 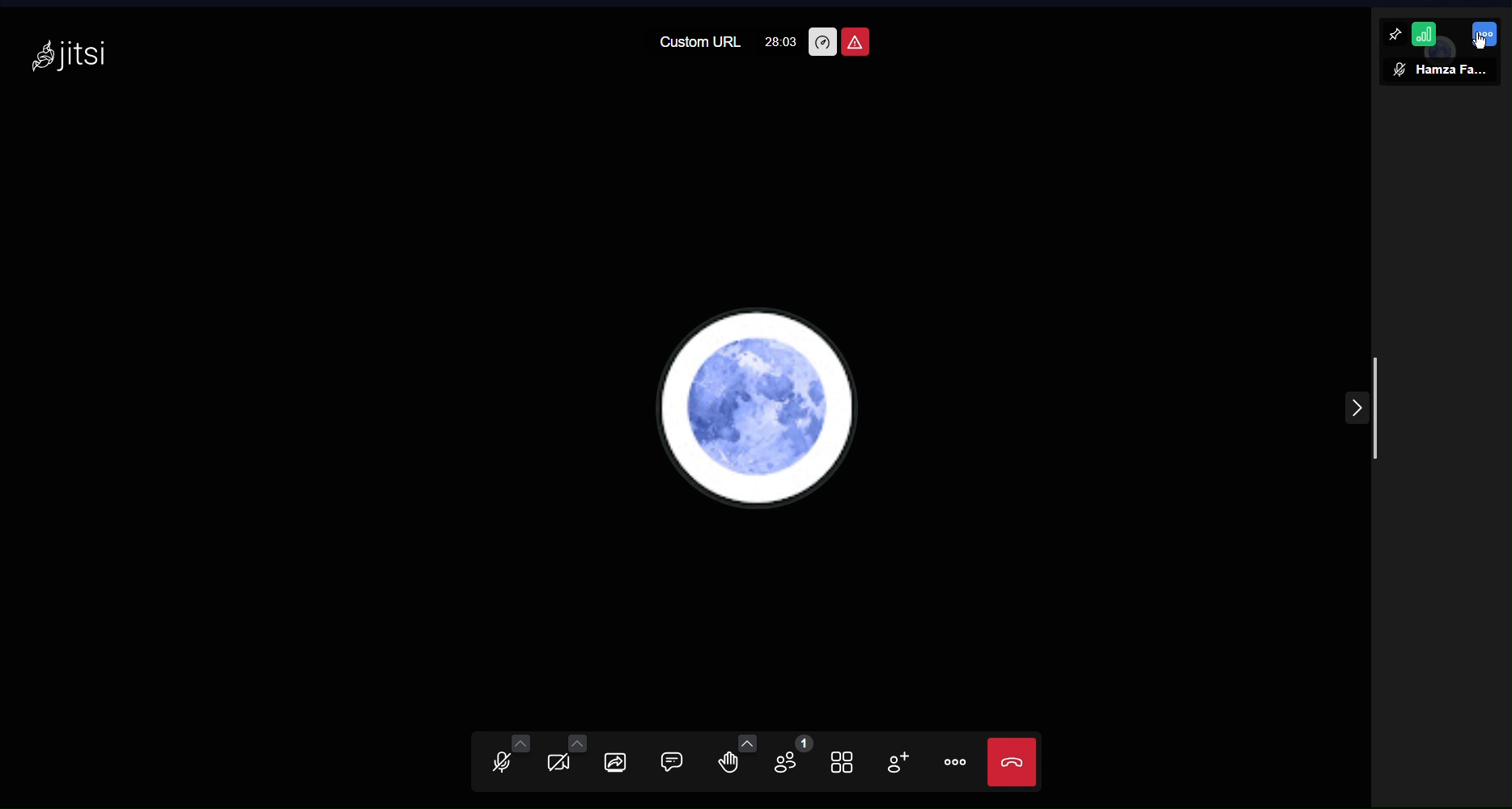 I want to click on more options, so click(x=1484, y=34).